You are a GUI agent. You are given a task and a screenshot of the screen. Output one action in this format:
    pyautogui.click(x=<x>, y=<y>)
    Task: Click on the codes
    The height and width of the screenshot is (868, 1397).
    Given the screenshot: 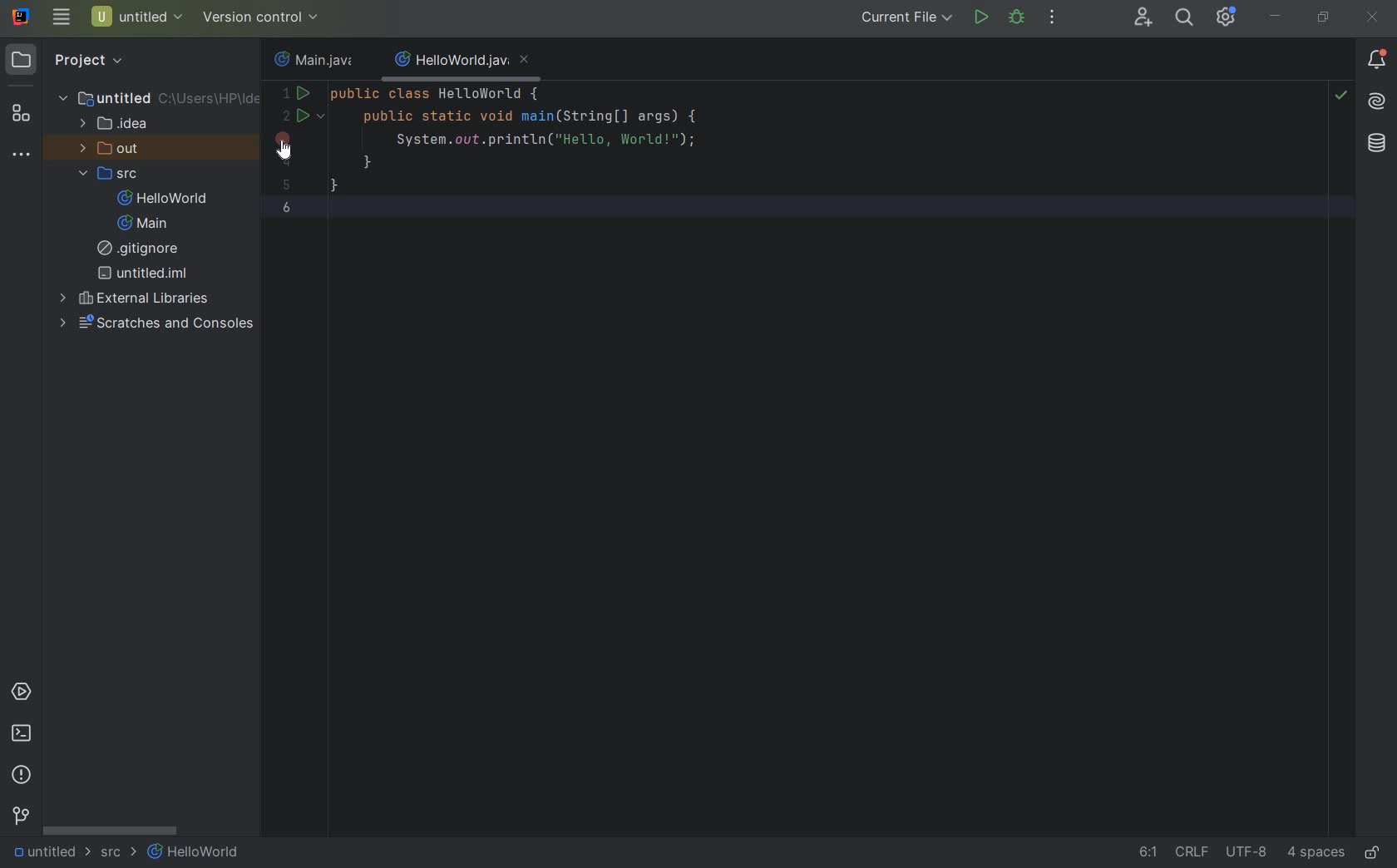 What is the action you would take?
    pyautogui.click(x=583, y=156)
    